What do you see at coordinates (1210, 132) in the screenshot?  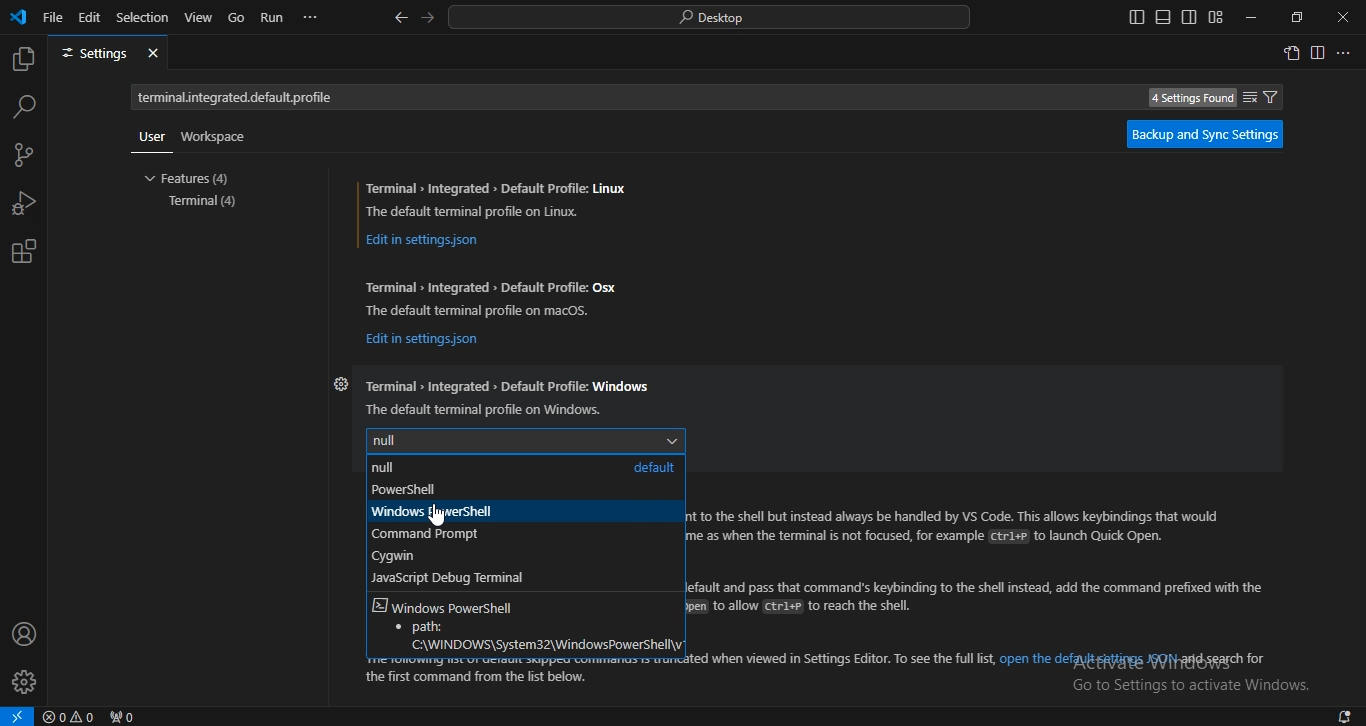 I see `backup and sync settings` at bounding box center [1210, 132].